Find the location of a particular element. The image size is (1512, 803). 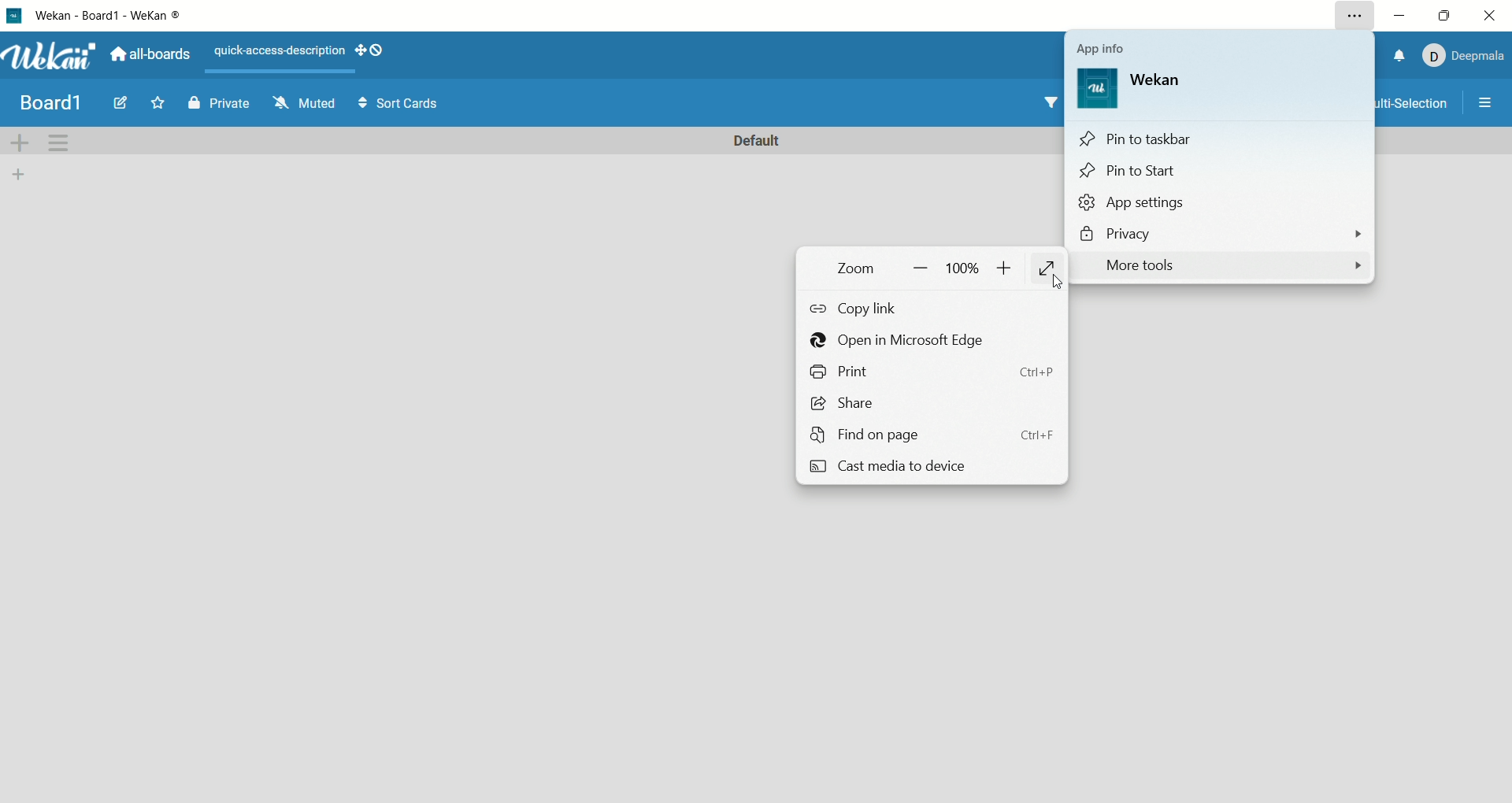

app settings is located at coordinates (1220, 202).